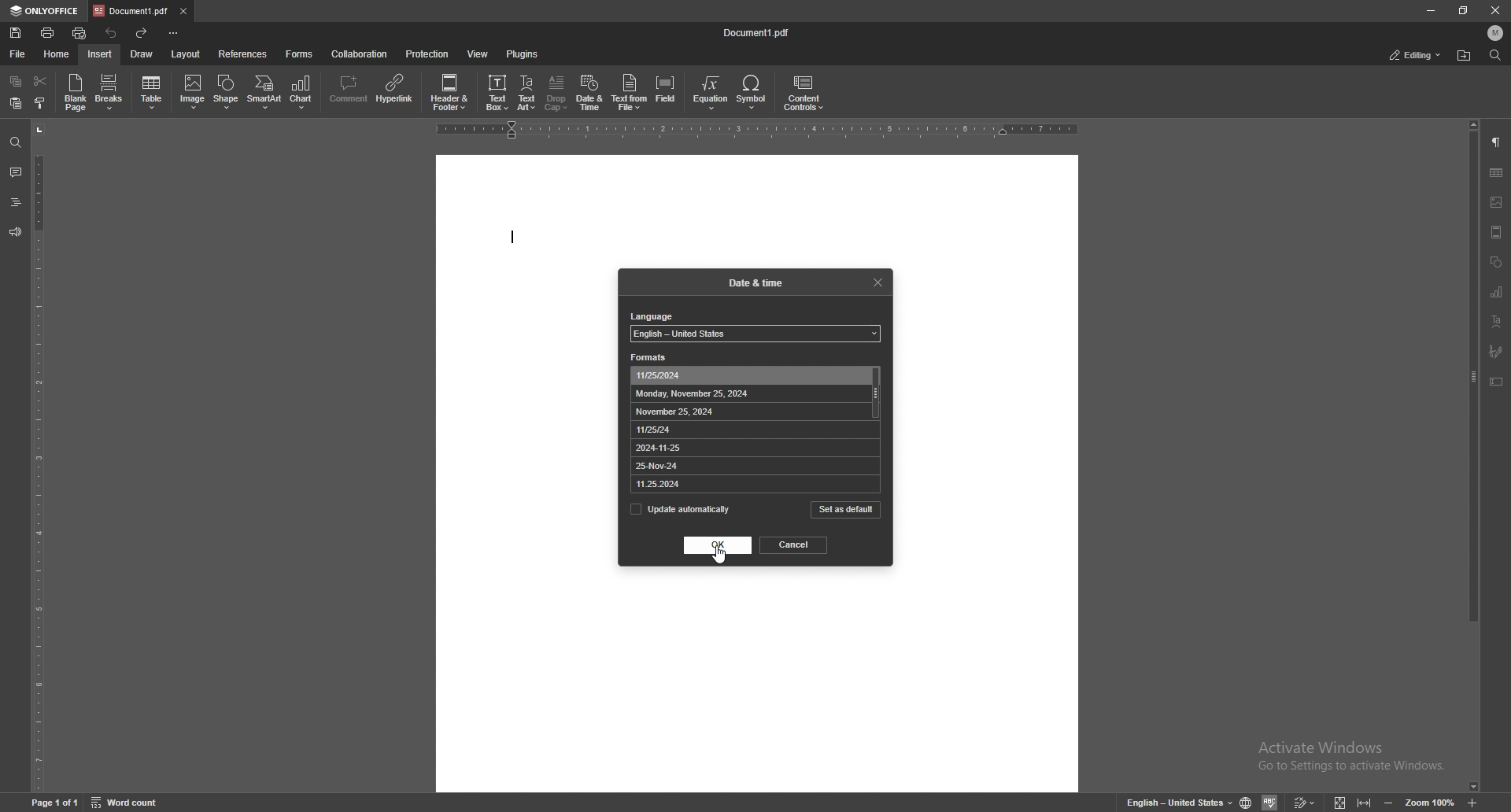  Describe the element at coordinates (46, 11) in the screenshot. I see `onlyoffice` at that location.